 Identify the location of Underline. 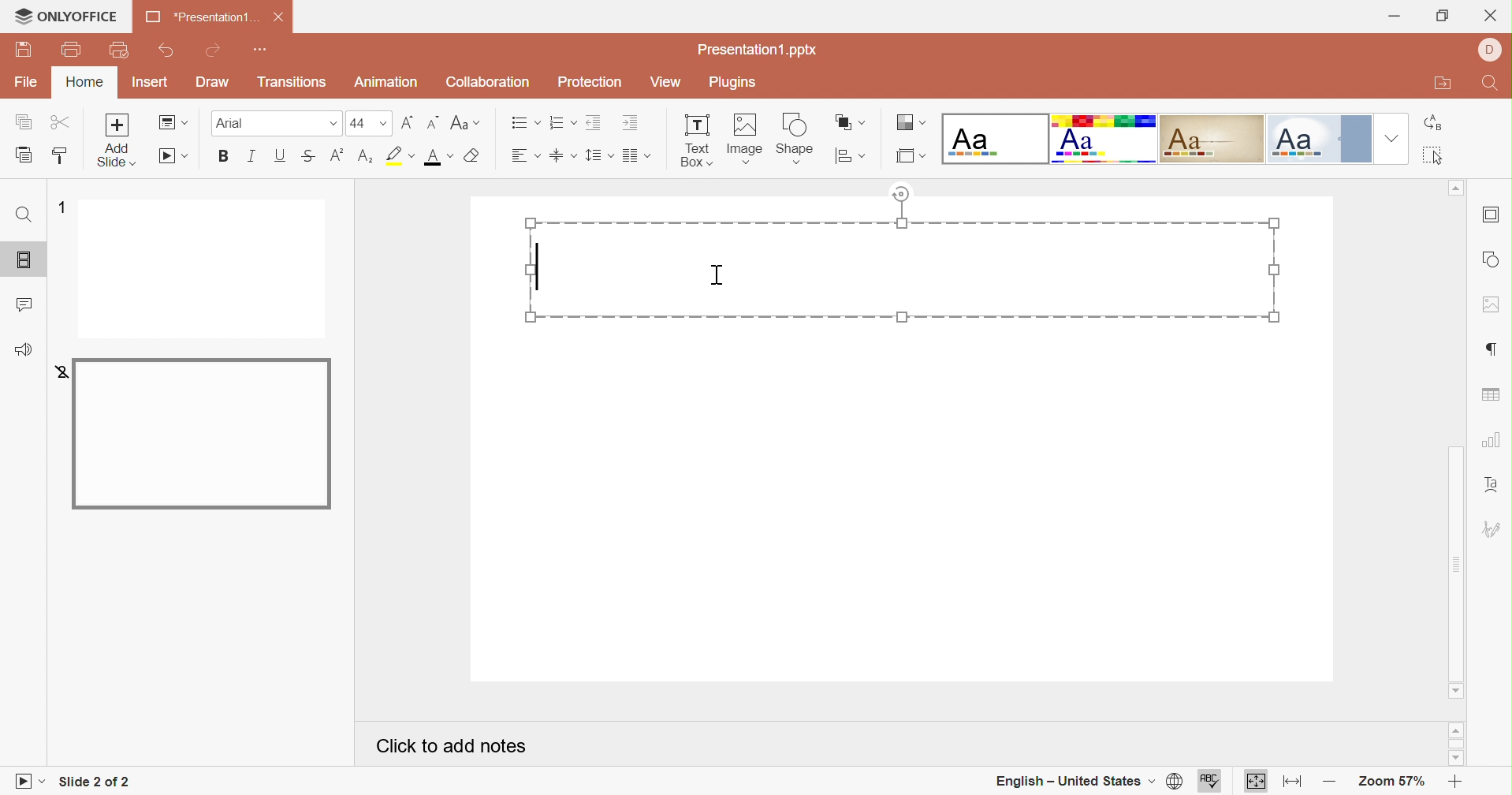
(283, 155).